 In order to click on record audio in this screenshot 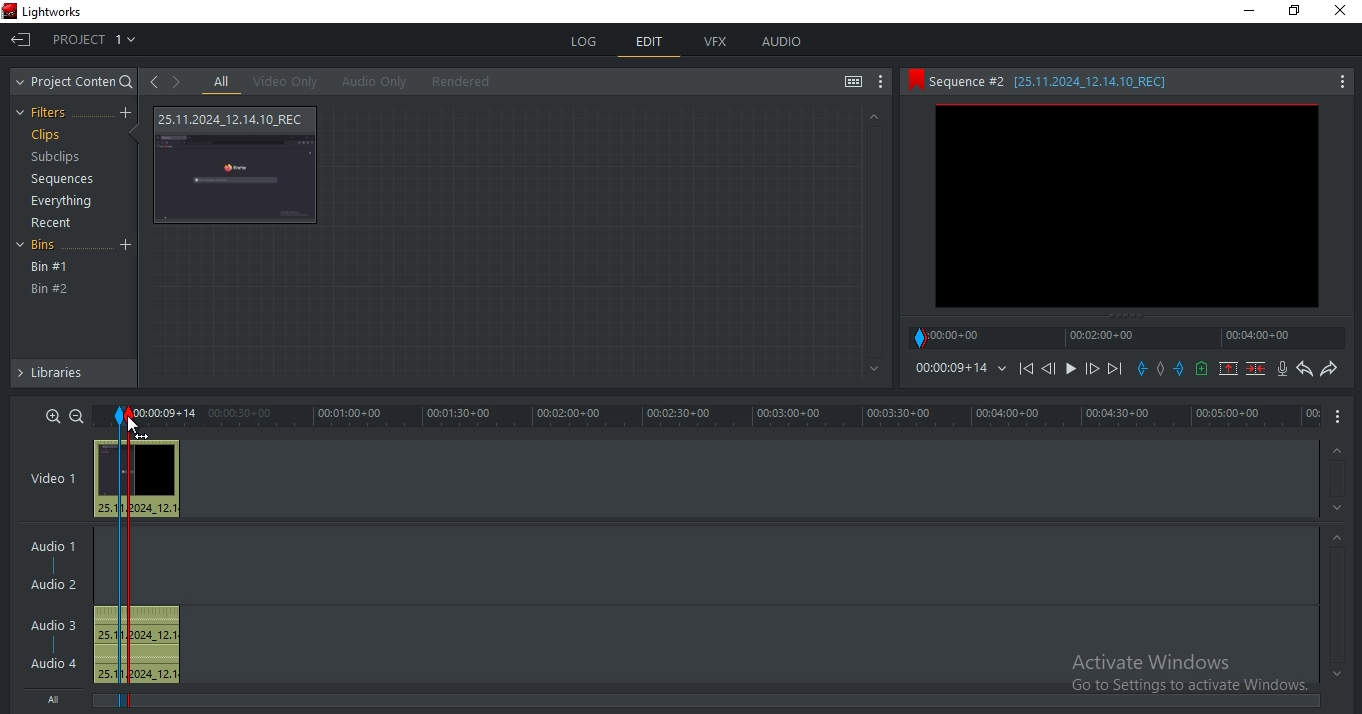, I will do `click(1282, 369)`.